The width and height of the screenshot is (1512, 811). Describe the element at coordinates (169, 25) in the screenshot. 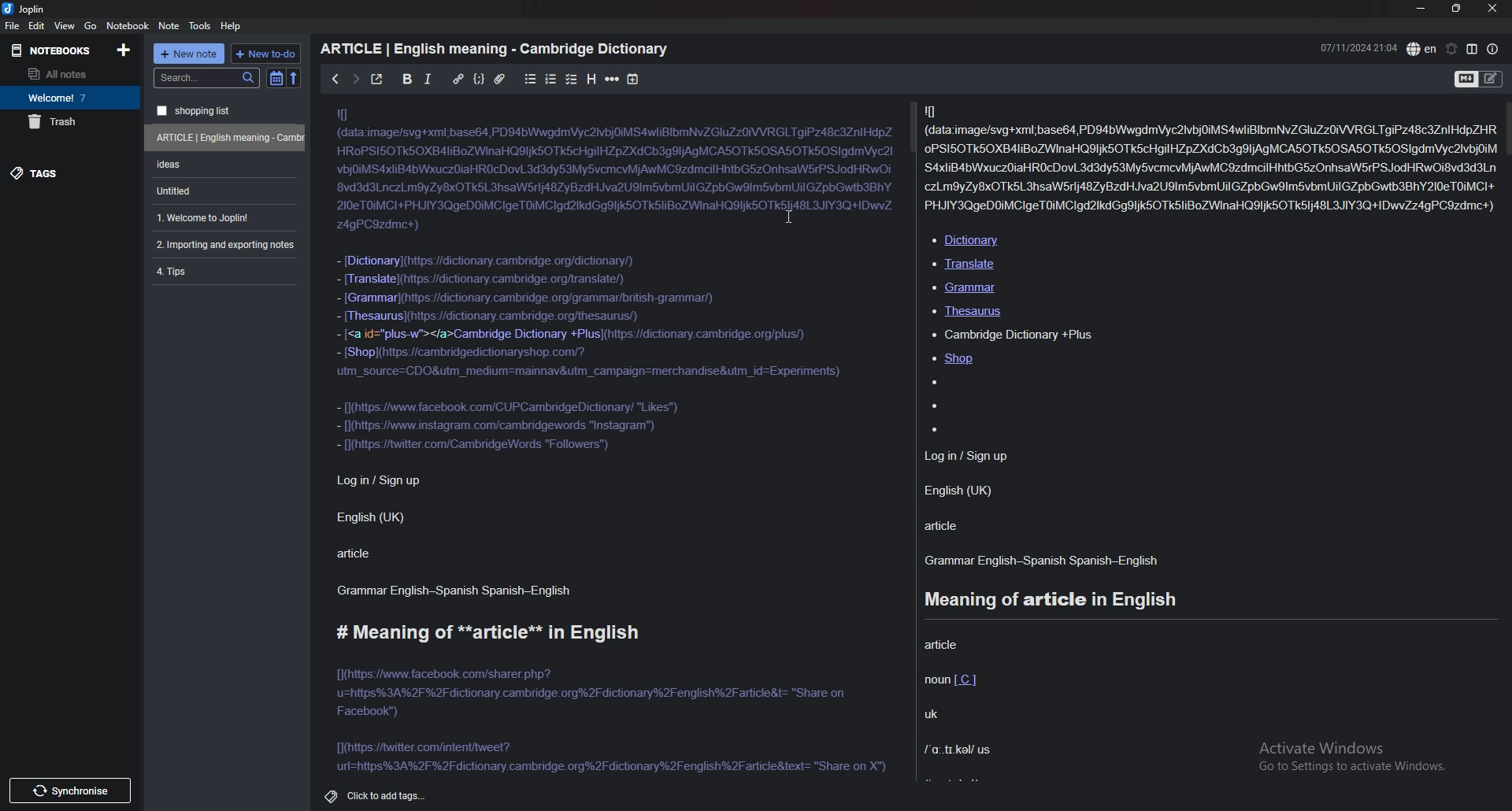

I see `note` at that location.